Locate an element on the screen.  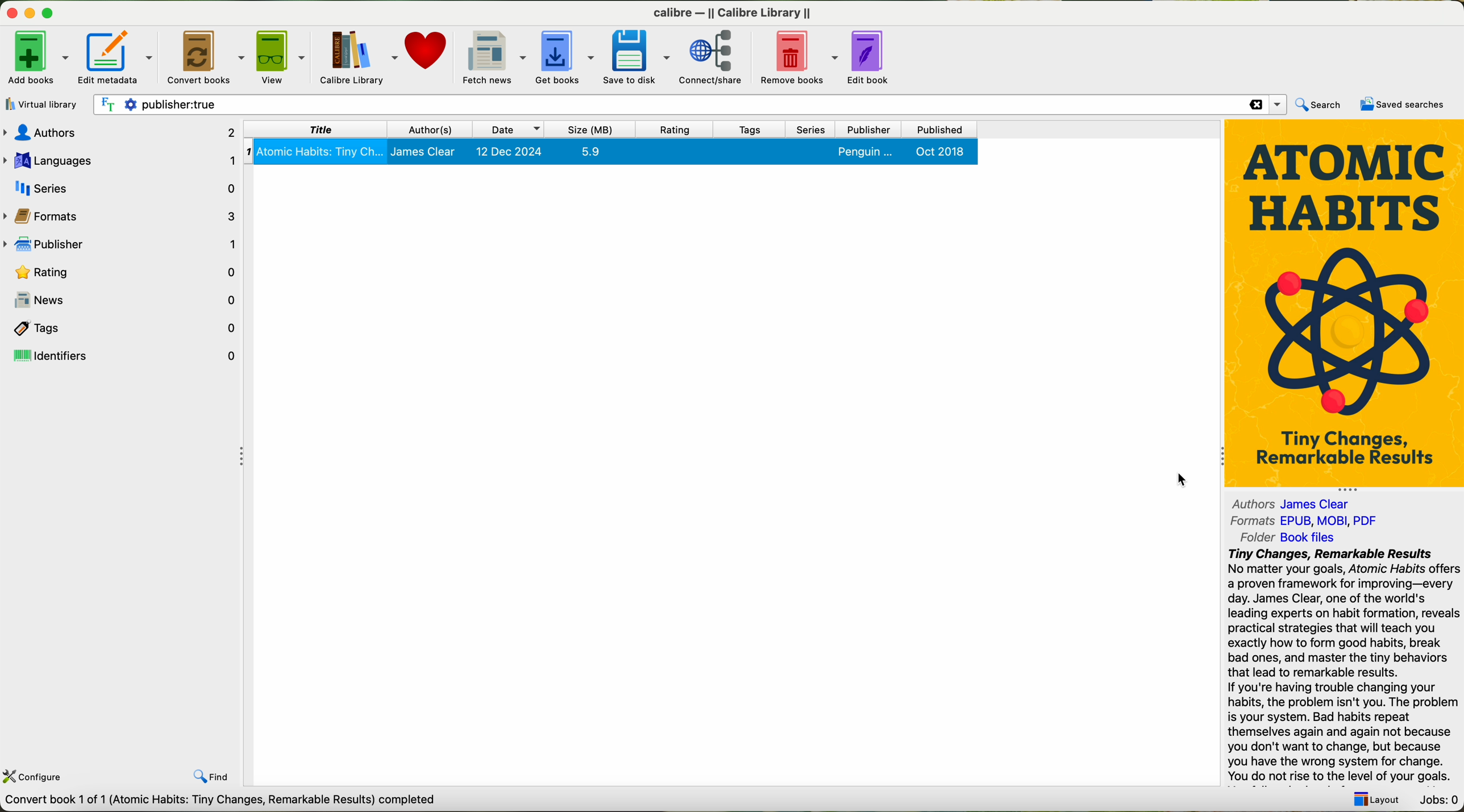
book selected is located at coordinates (615, 151).